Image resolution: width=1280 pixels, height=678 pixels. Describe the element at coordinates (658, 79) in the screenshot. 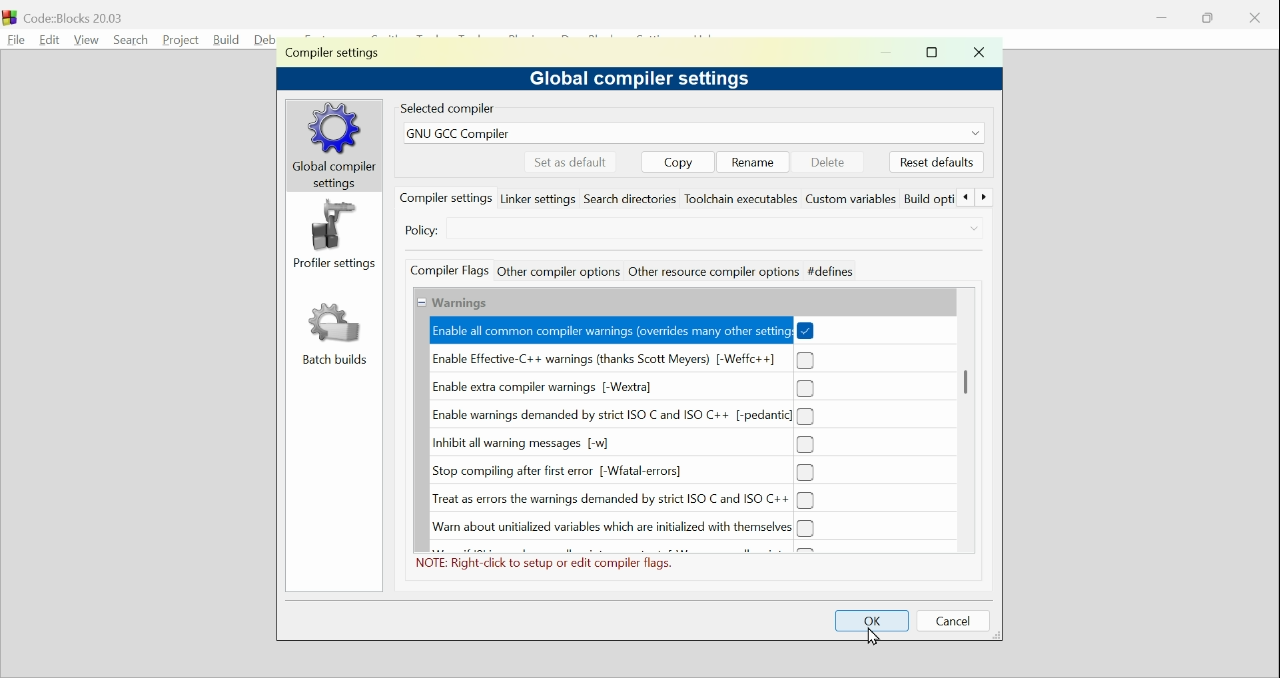

I see `Global compiler settings` at that location.